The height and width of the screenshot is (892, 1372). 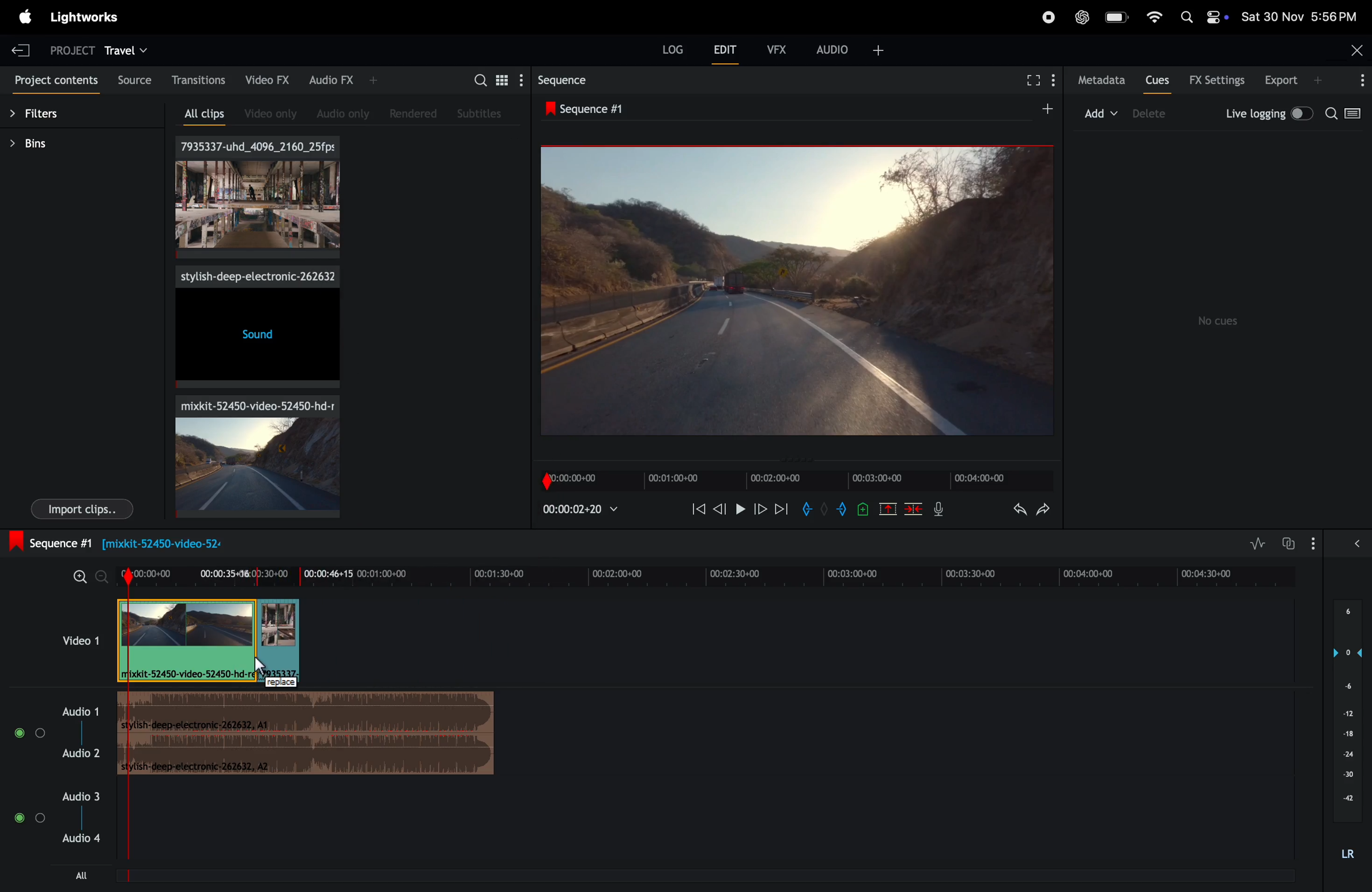 What do you see at coordinates (795, 290) in the screenshot?
I see `output frame` at bounding box center [795, 290].